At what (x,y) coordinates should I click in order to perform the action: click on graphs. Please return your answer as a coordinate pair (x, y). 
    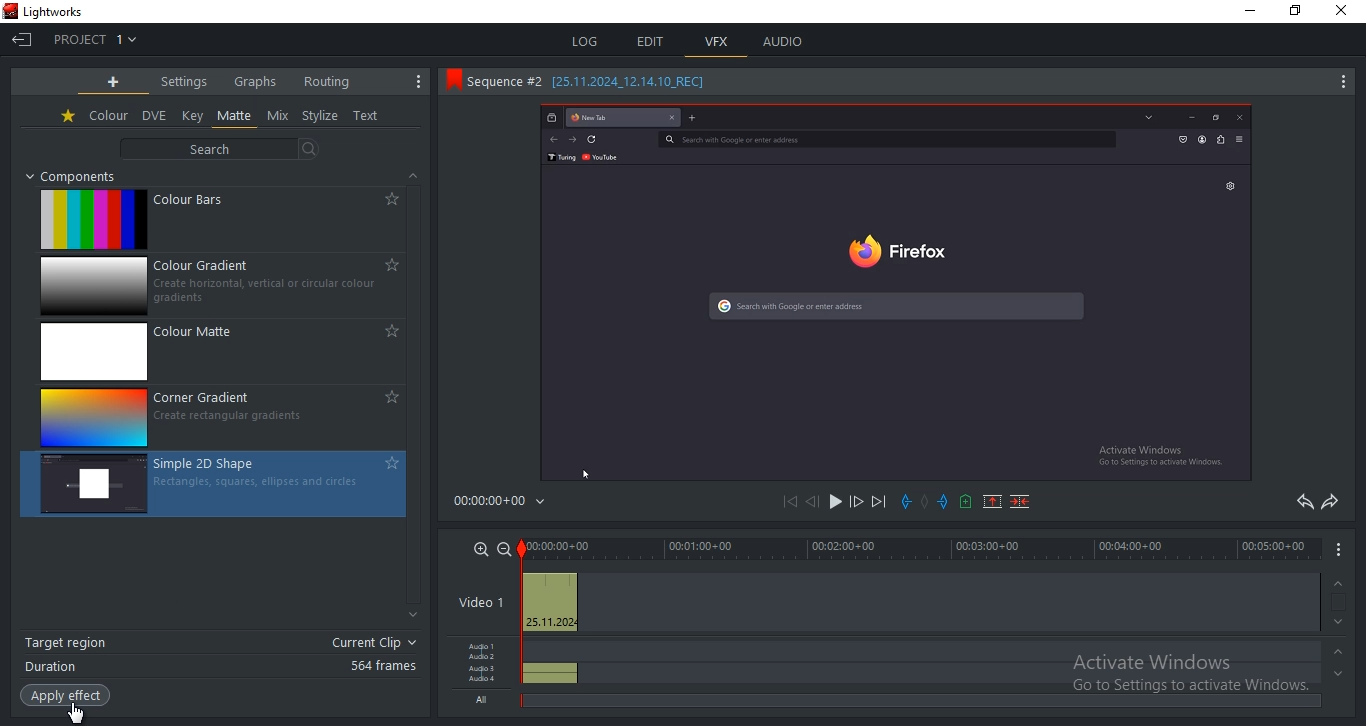
    Looking at the image, I should click on (255, 80).